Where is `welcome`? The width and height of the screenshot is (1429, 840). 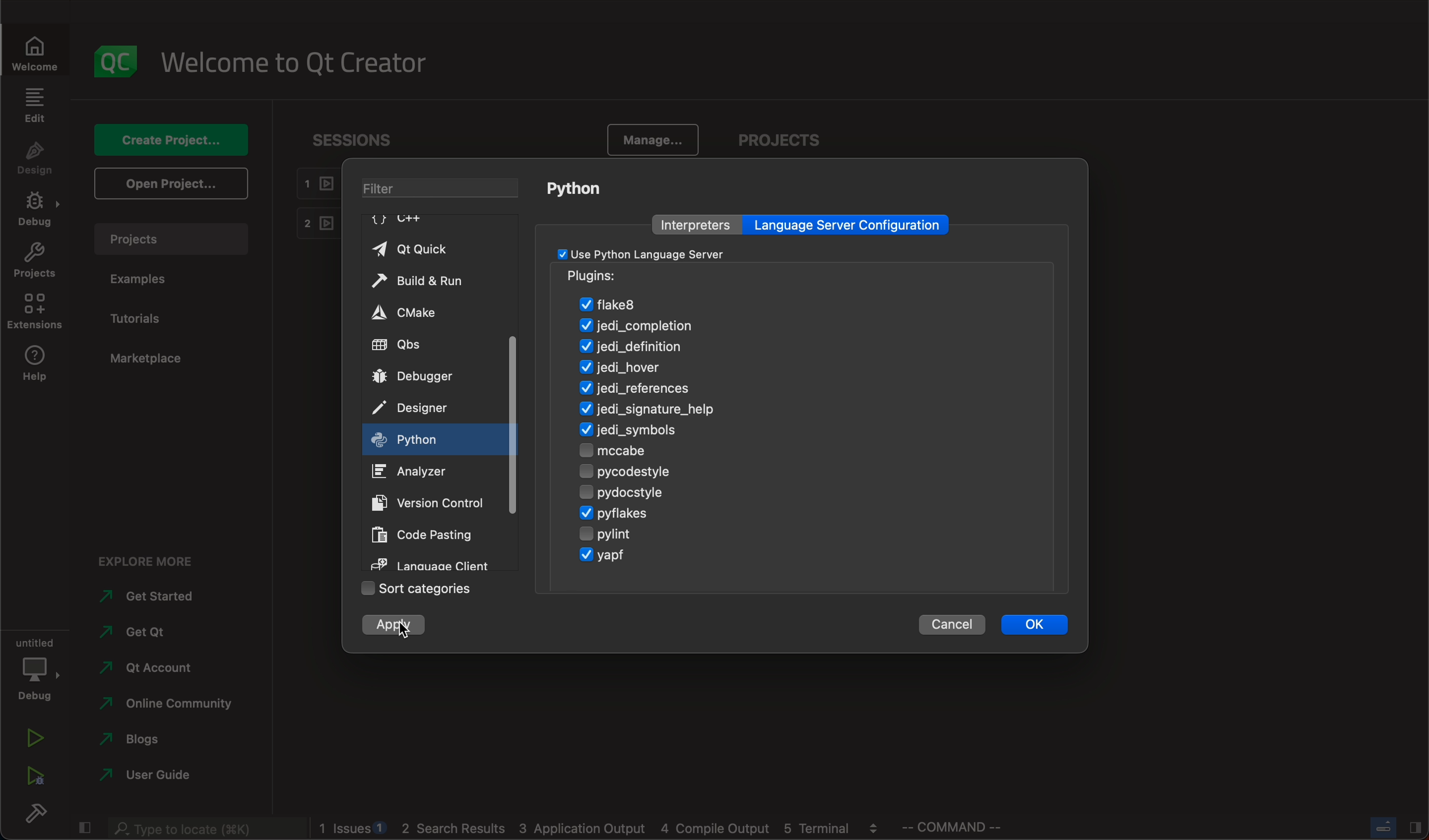
welcome is located at coordinates (298, 62).